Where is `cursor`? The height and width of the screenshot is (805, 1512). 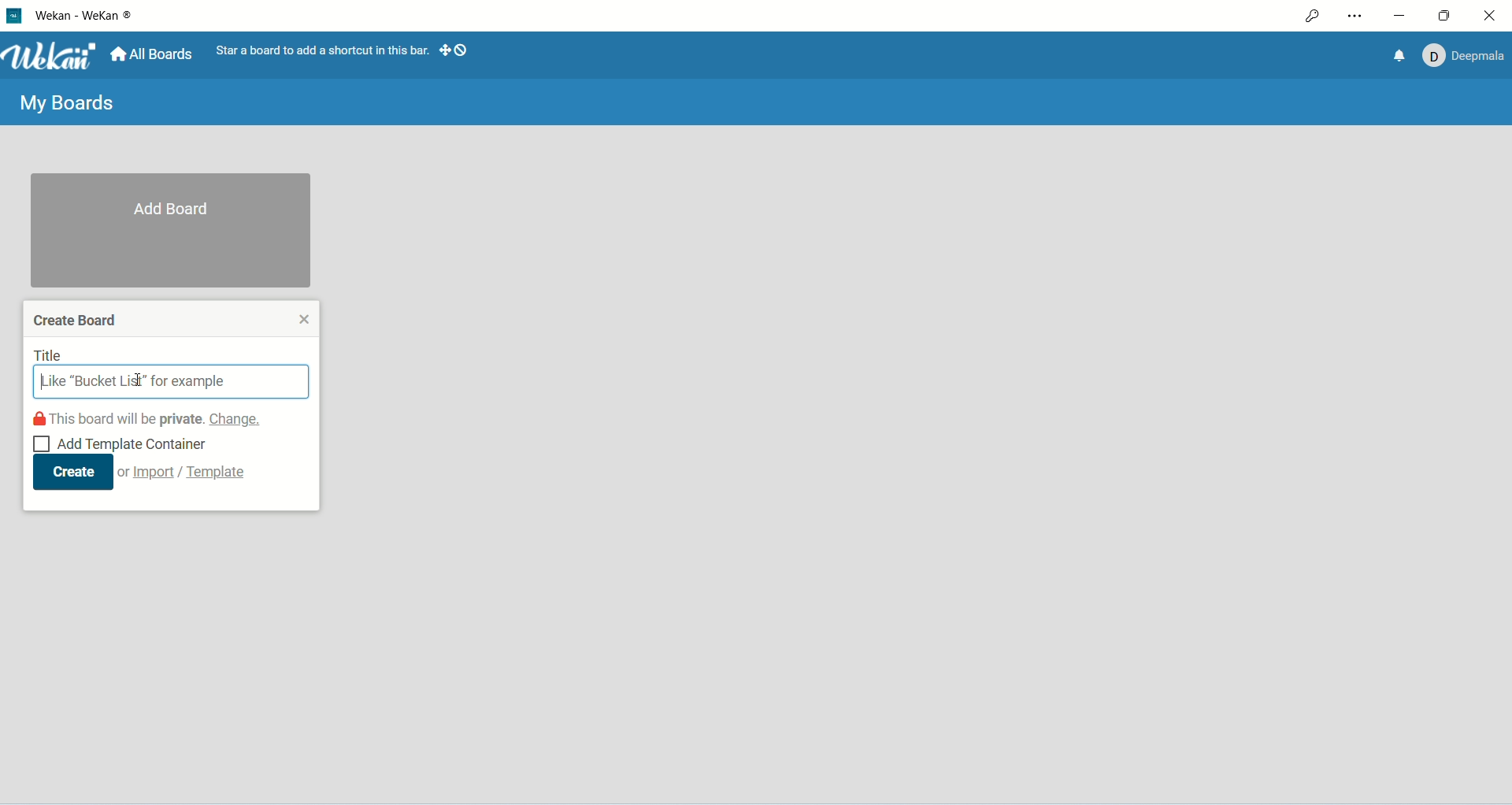
cursor is located at coordinates (136, 382).